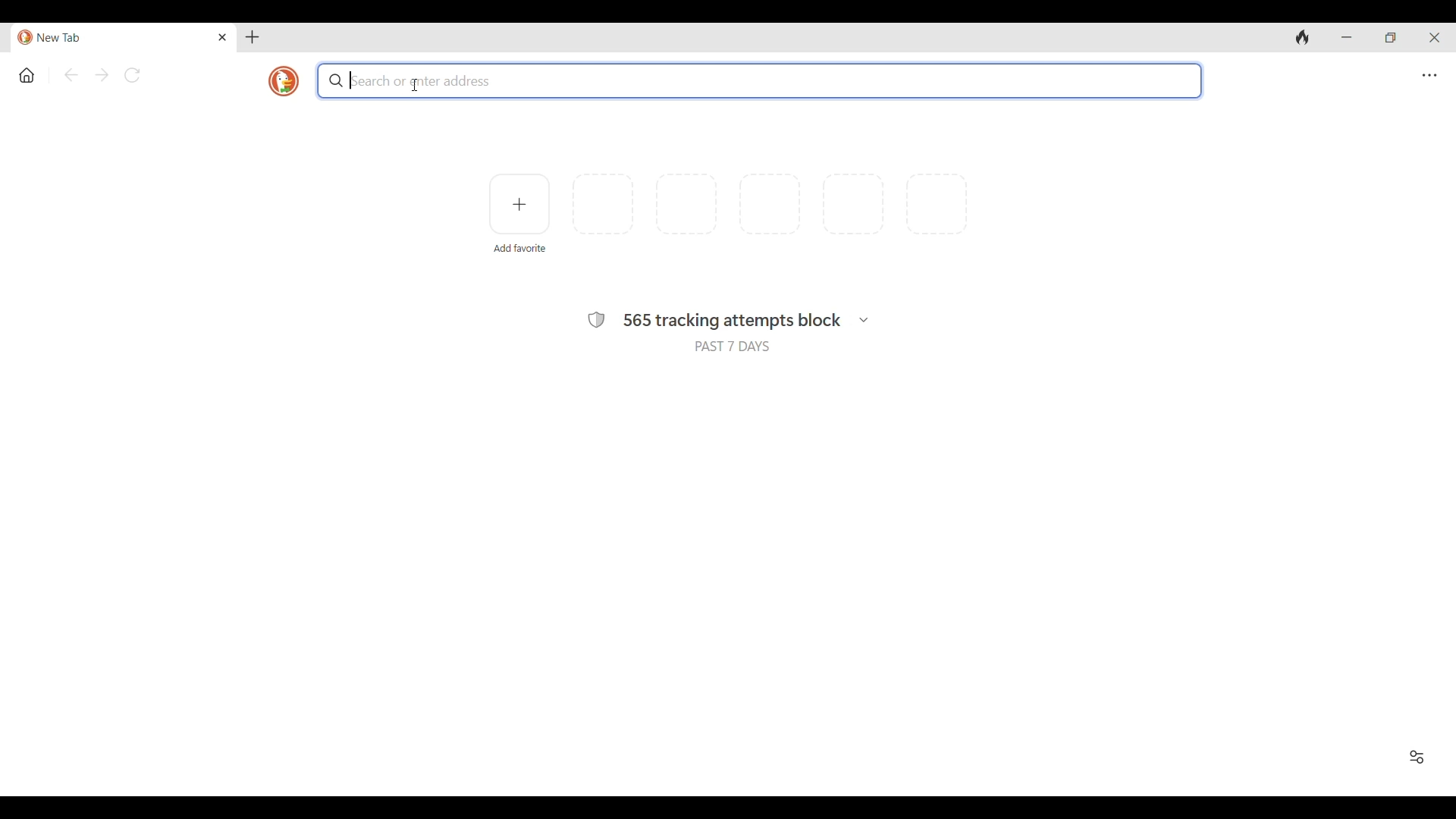 Image resolution: width=1456 pixels, height=819 pixels. Describe the element at coordinates (597, 320) in the screenshot. I see `Browser shield symbol` at that location.